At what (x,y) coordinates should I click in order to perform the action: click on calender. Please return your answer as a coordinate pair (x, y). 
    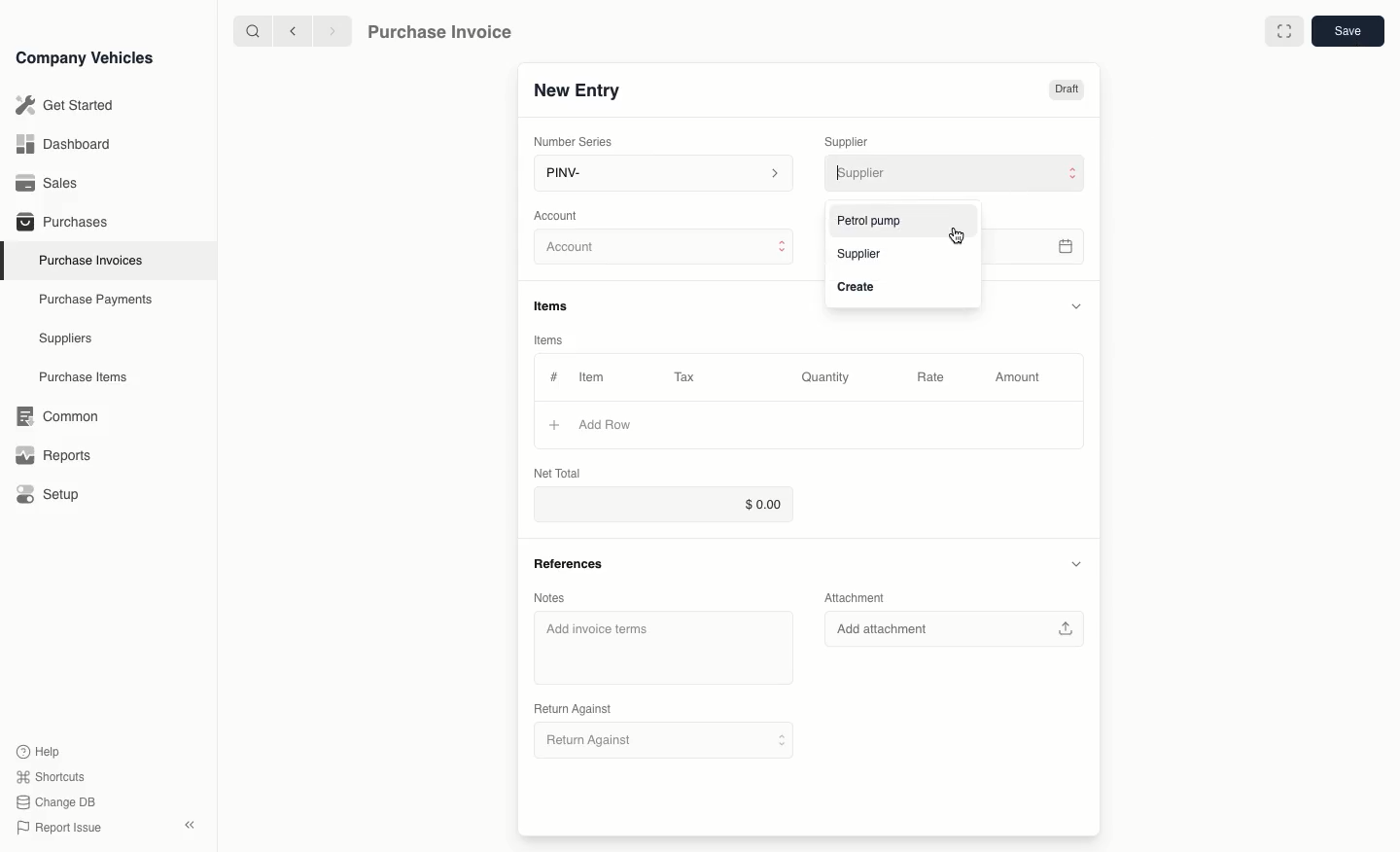
    Looking at the image, I should click on (1067, 248).